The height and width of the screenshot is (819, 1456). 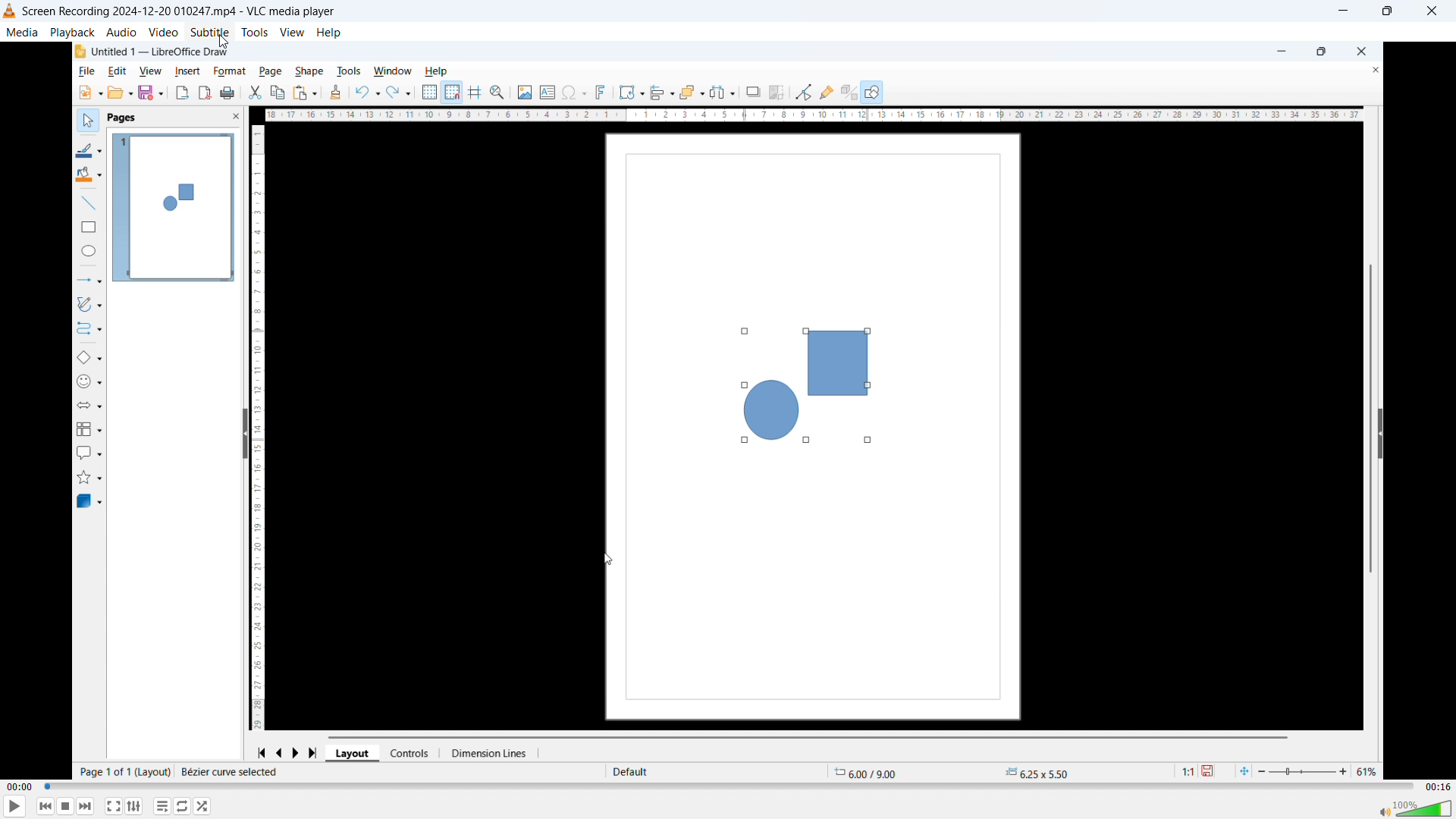 What do you see at coordinates (124, 772) in the screenshot?
I see ` Page 1 of 1 (Layout)` at bounding box center [124, 772].